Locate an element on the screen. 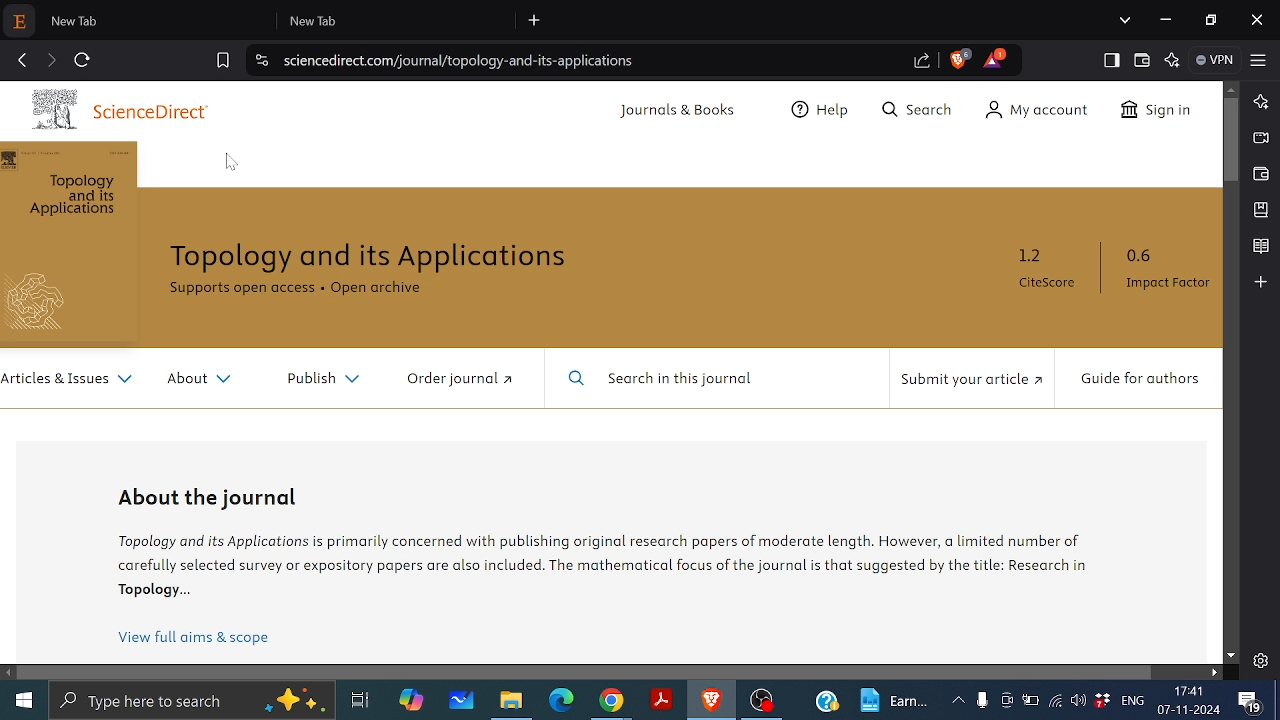  Topology and its Applications
Supports open access - Open archive is located at coordinates (388, 274).